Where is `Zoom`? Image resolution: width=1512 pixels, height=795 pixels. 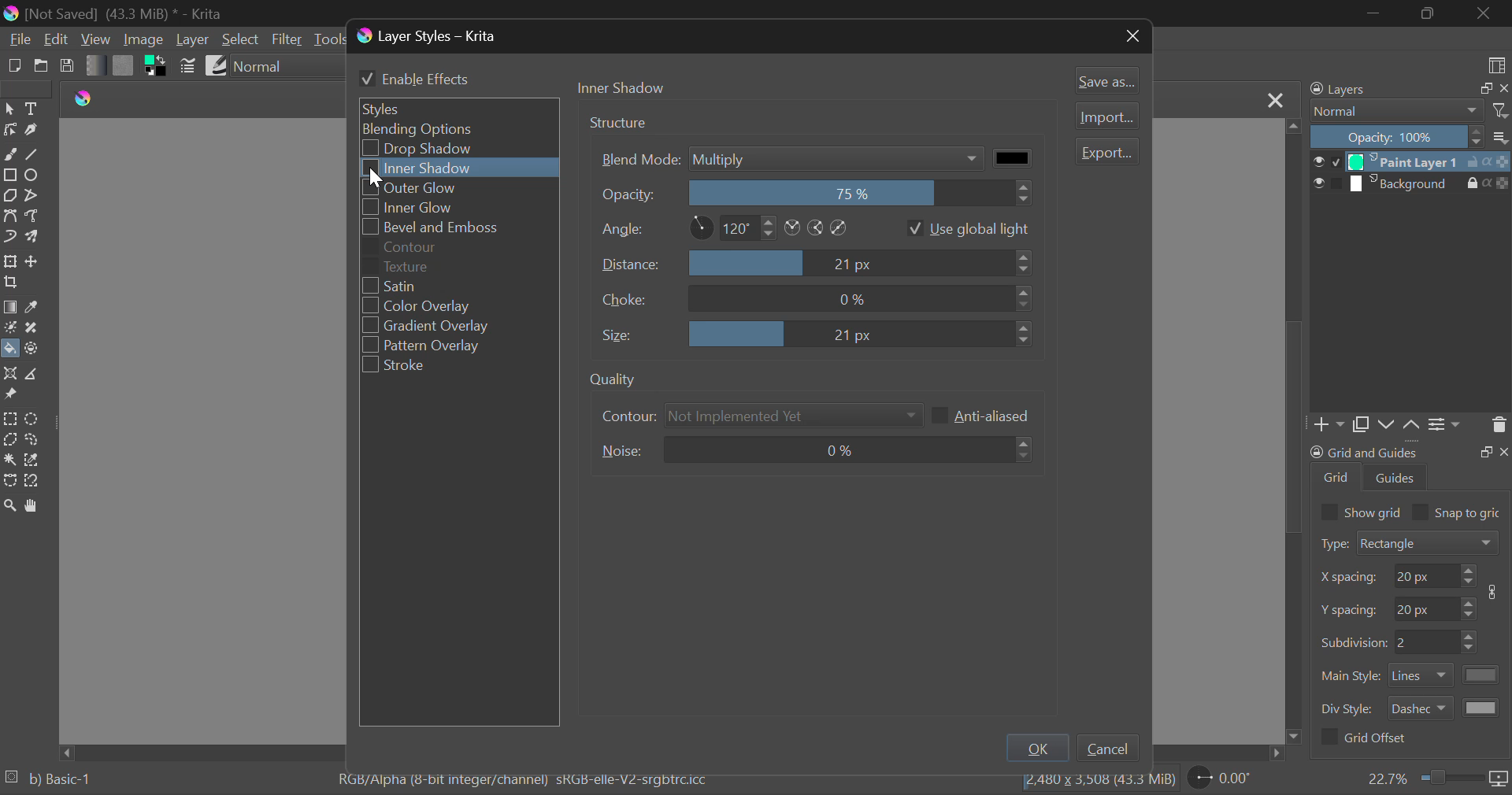 Zoom is located at coordinates (1437, 778).